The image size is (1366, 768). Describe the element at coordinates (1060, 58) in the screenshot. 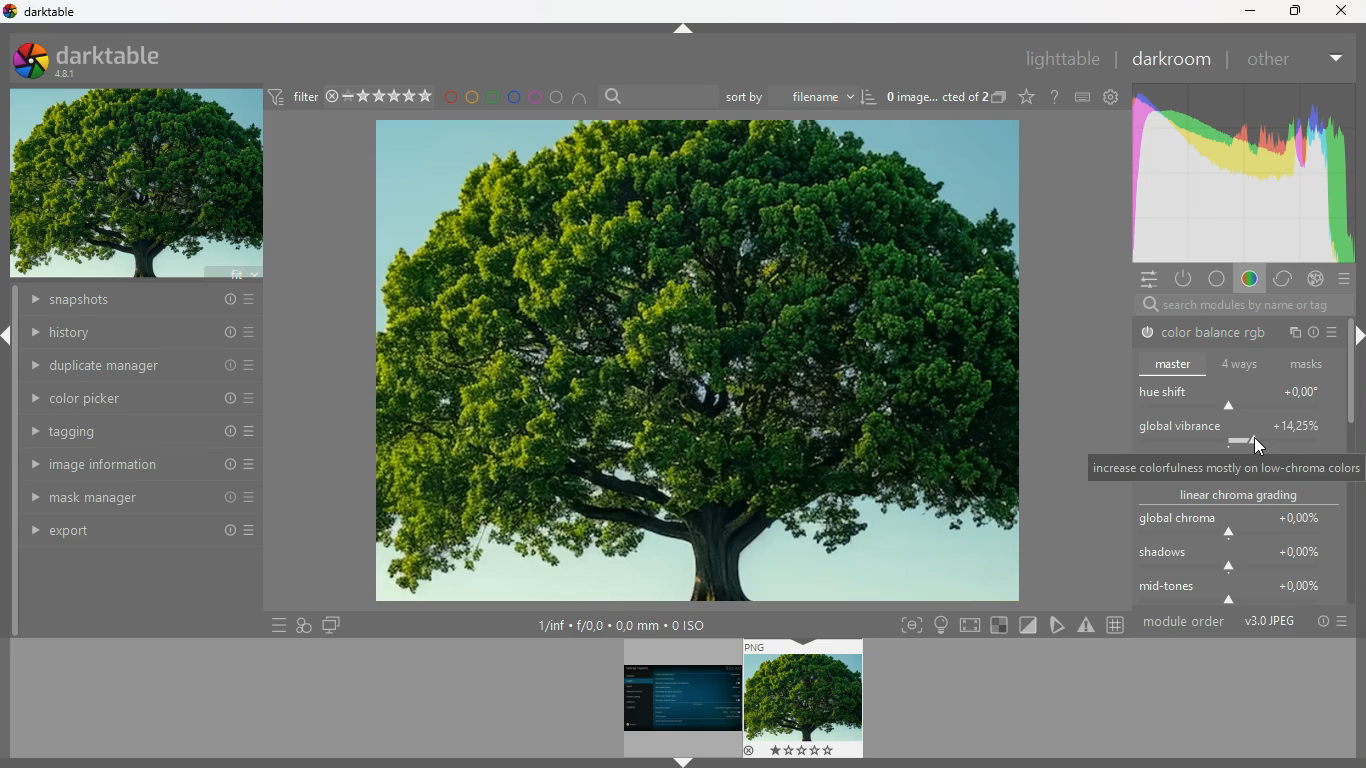

I see `lighttable` at that location.